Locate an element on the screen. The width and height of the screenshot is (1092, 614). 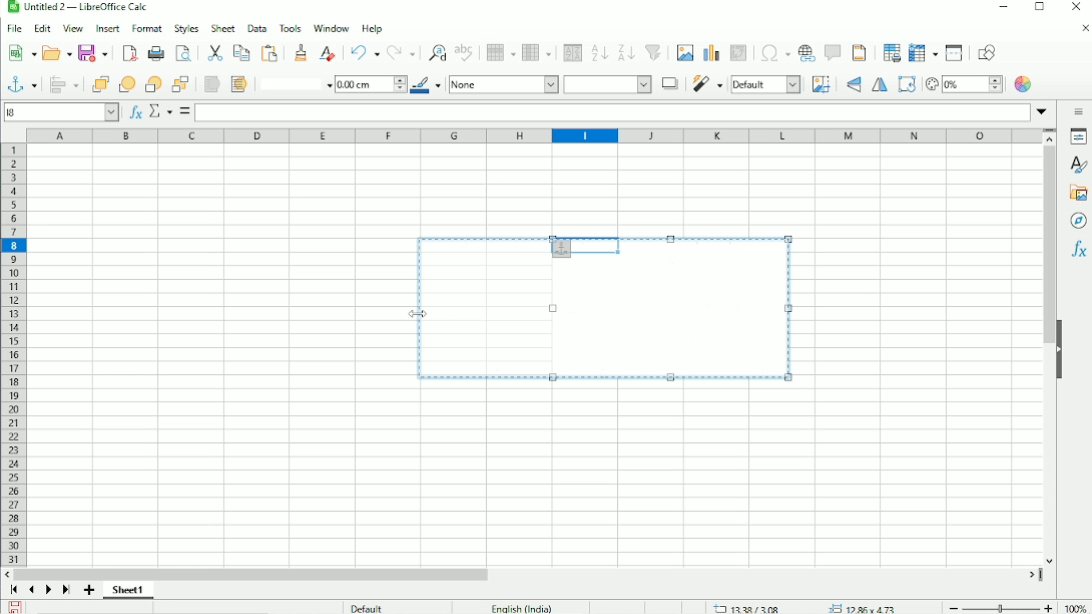
Find and replace is located at coordinates (435, 51).